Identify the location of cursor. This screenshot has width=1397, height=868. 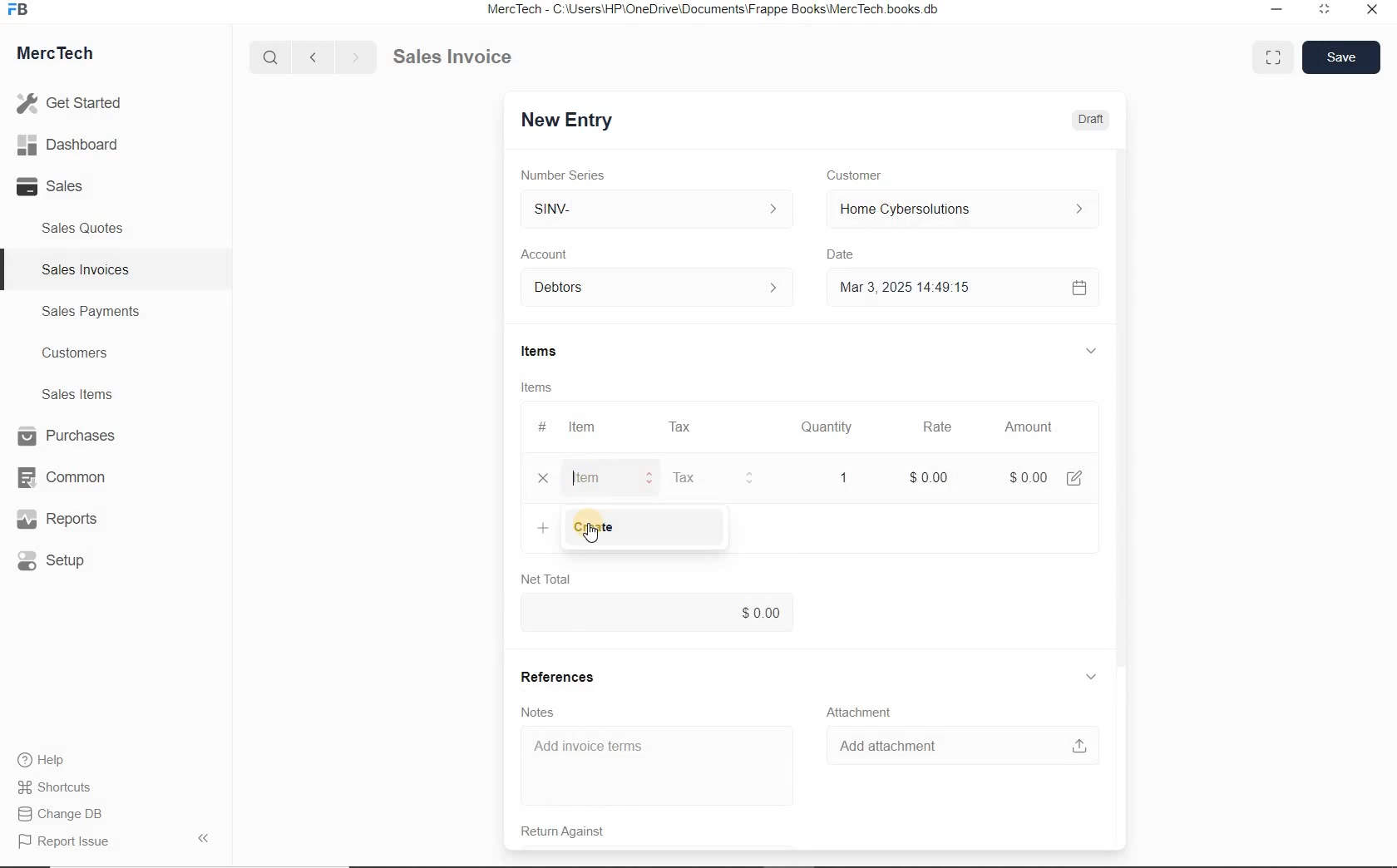
(588, 531).